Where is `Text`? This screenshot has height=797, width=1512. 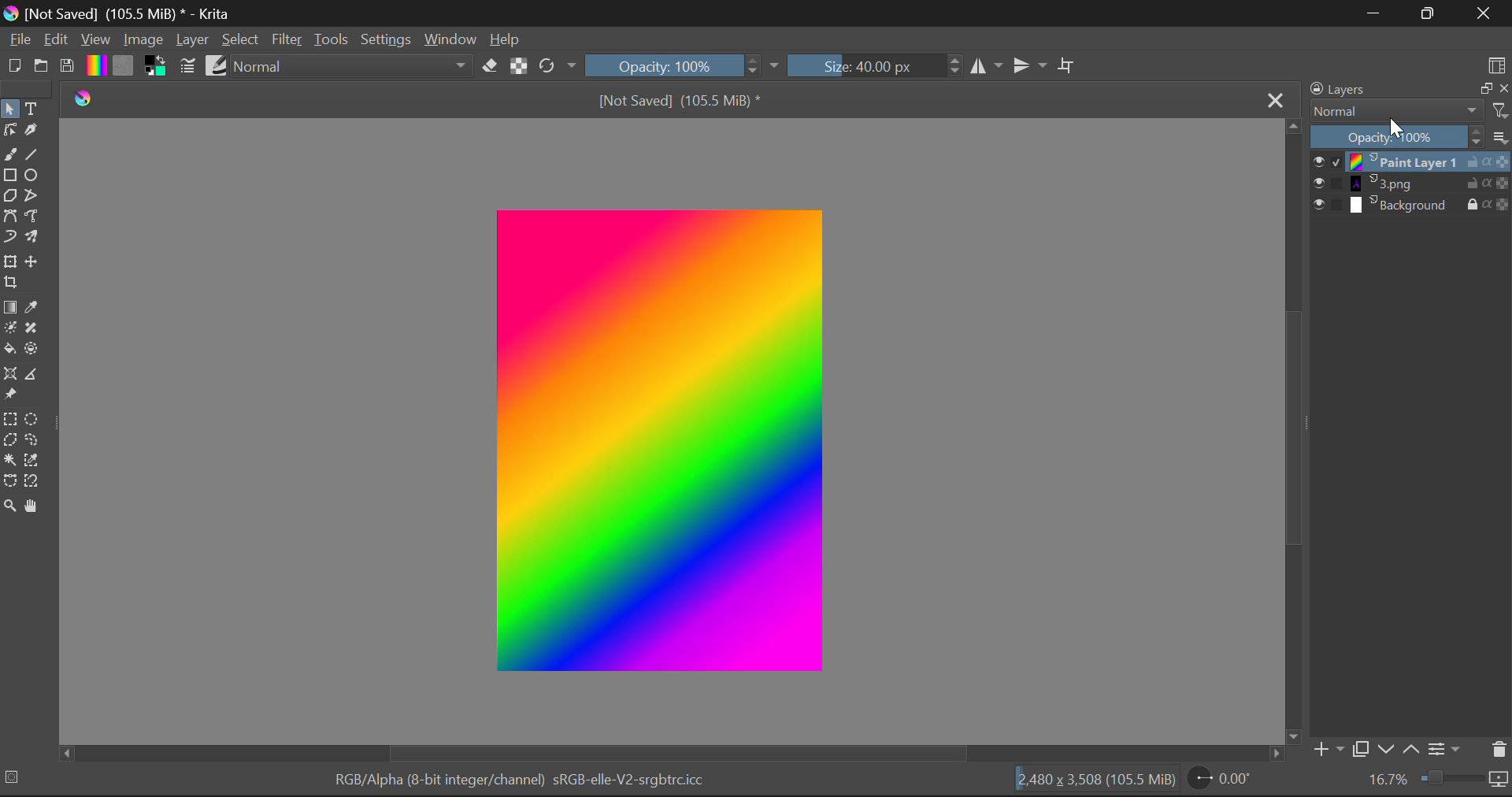
Text is located at coordinates (38, 109).